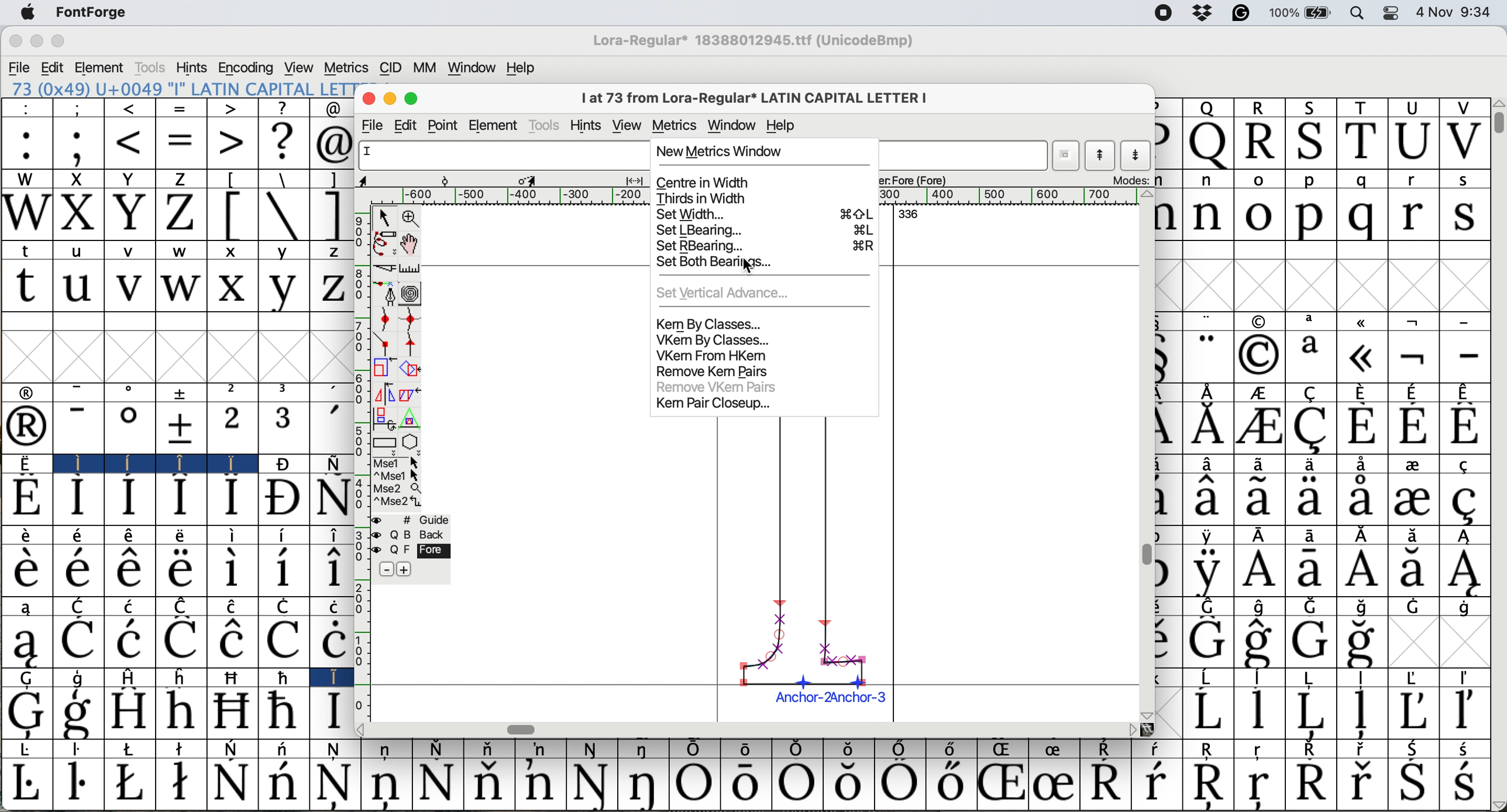  Describe the element at coordinates (282, 570) in the screenshot. I see `Symbol` at that location.